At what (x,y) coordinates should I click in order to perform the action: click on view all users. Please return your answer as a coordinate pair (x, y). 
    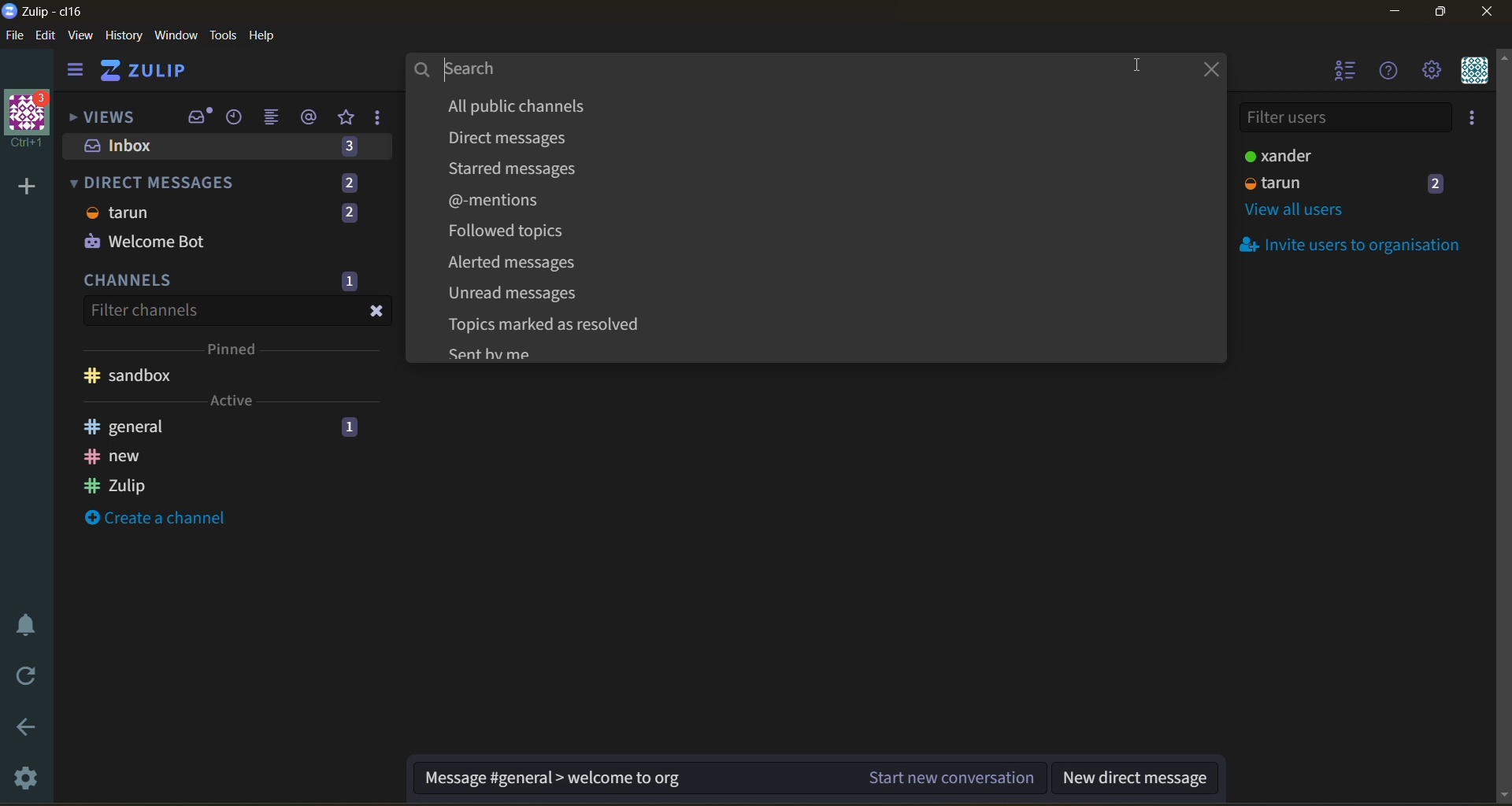
    Looking at the image, I should click on (1298, 211).